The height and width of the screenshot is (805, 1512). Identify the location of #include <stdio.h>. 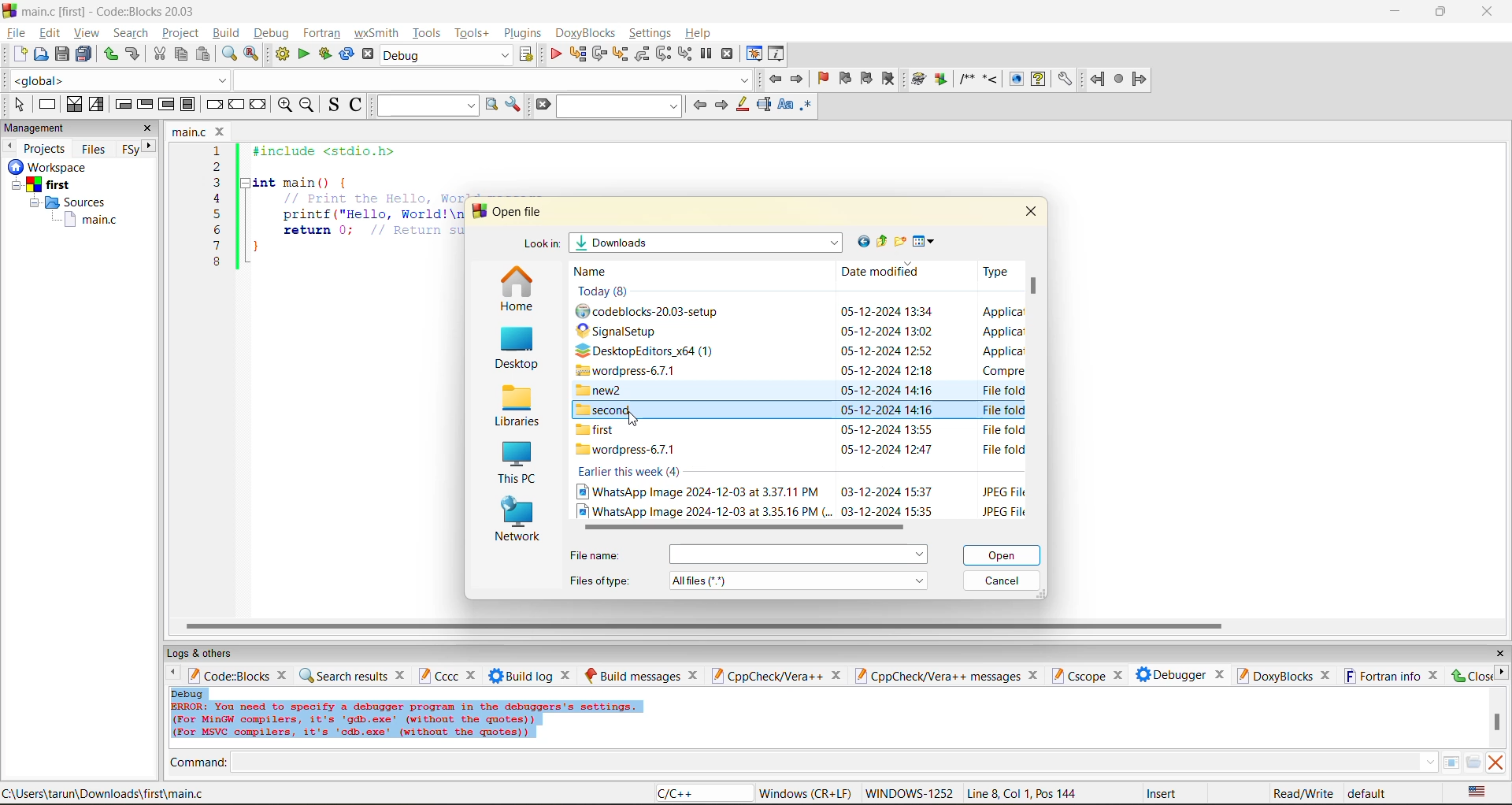
(334, 151).